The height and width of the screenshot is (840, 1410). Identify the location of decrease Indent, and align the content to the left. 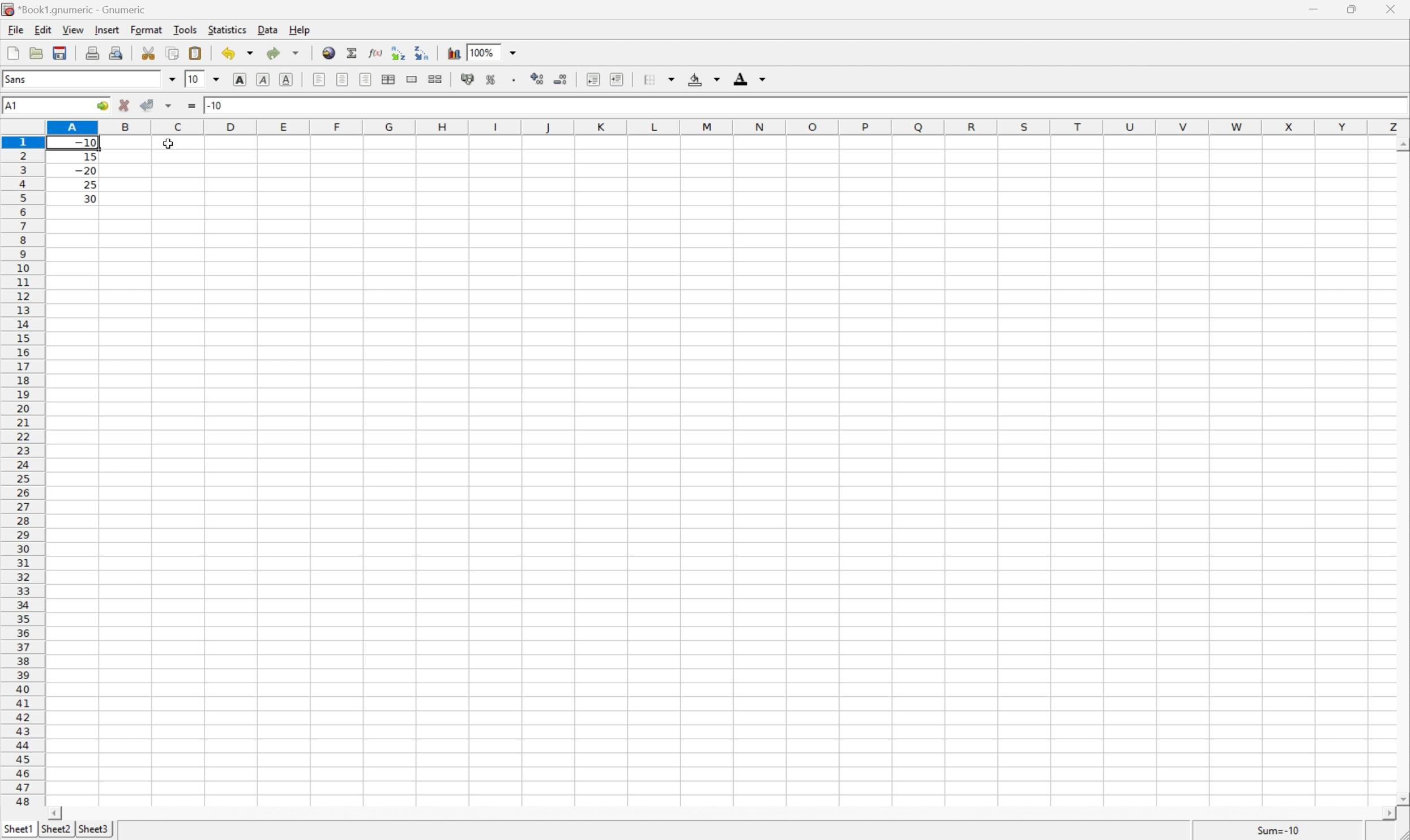
(592, 79).